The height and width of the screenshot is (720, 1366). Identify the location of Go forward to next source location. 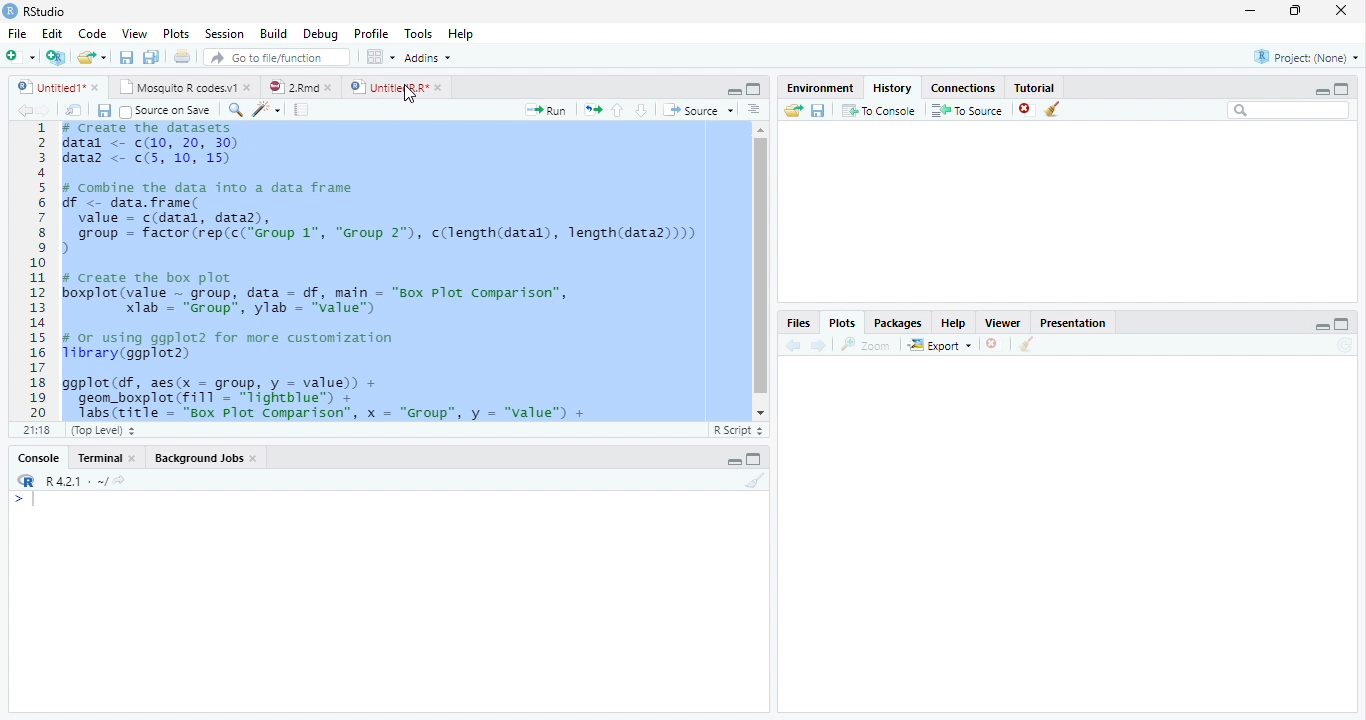
(44, 111).